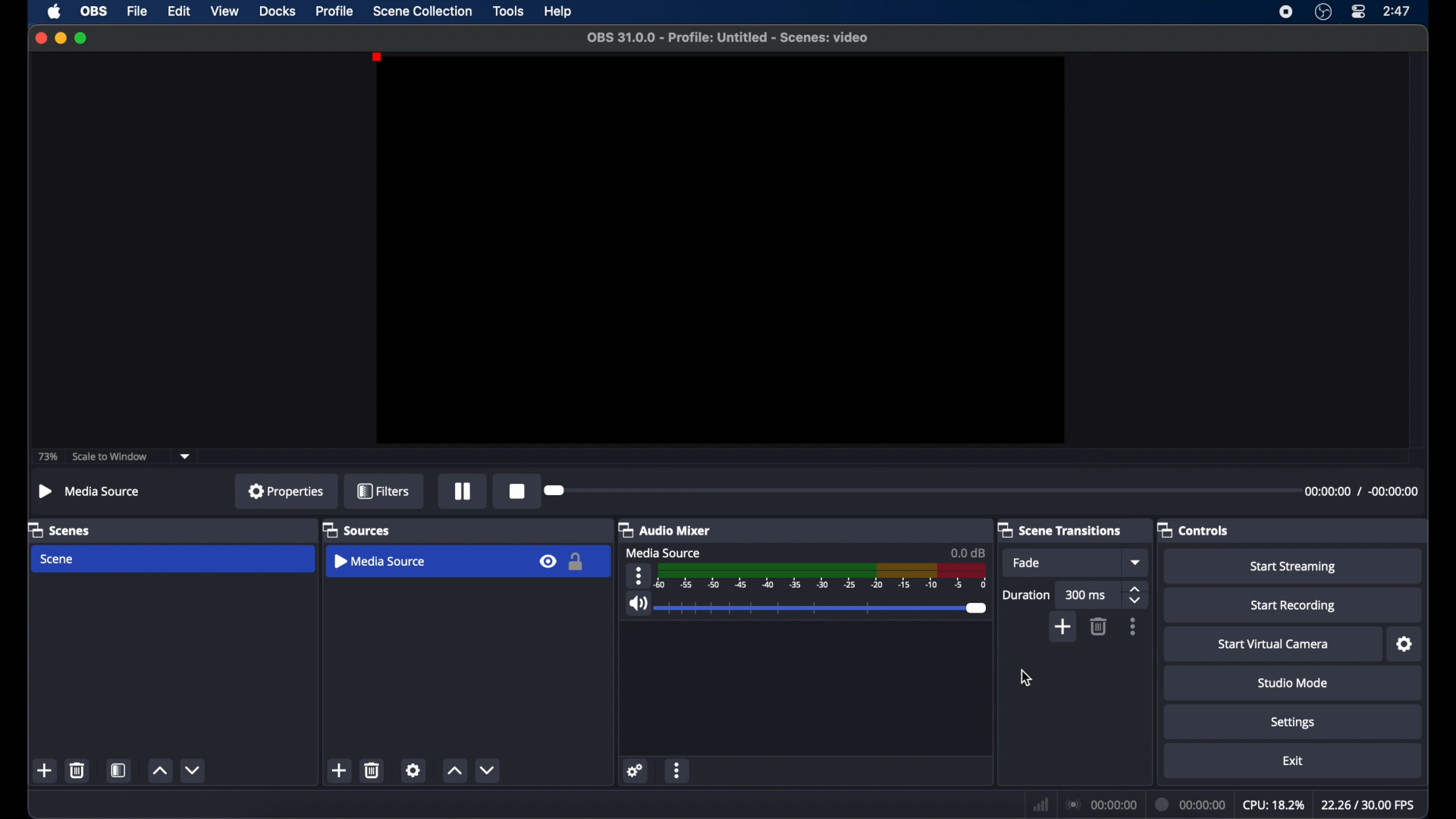  I want to click on slider, so click(824, 608).